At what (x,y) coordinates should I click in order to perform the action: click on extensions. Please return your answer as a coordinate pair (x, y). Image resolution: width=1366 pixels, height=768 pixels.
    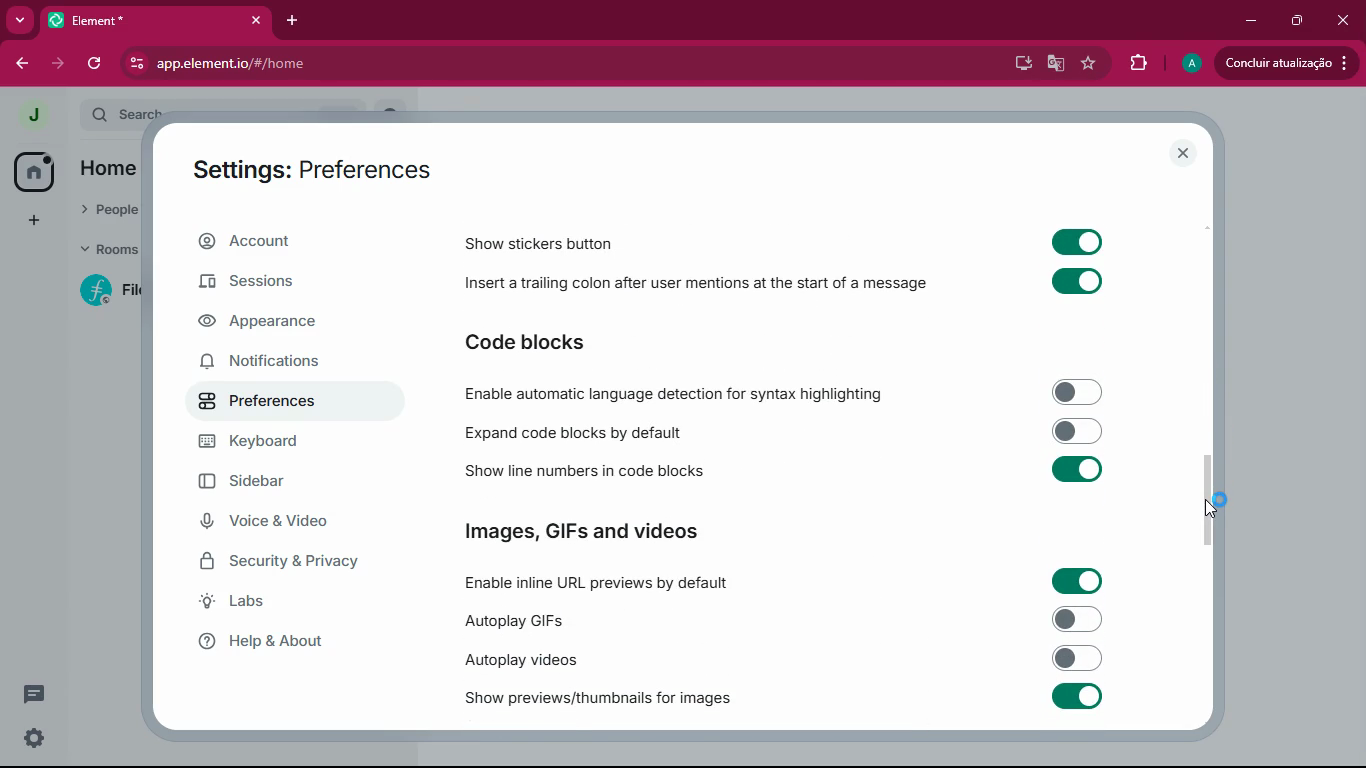
    Looking at the image, I should click on (1136, 65).